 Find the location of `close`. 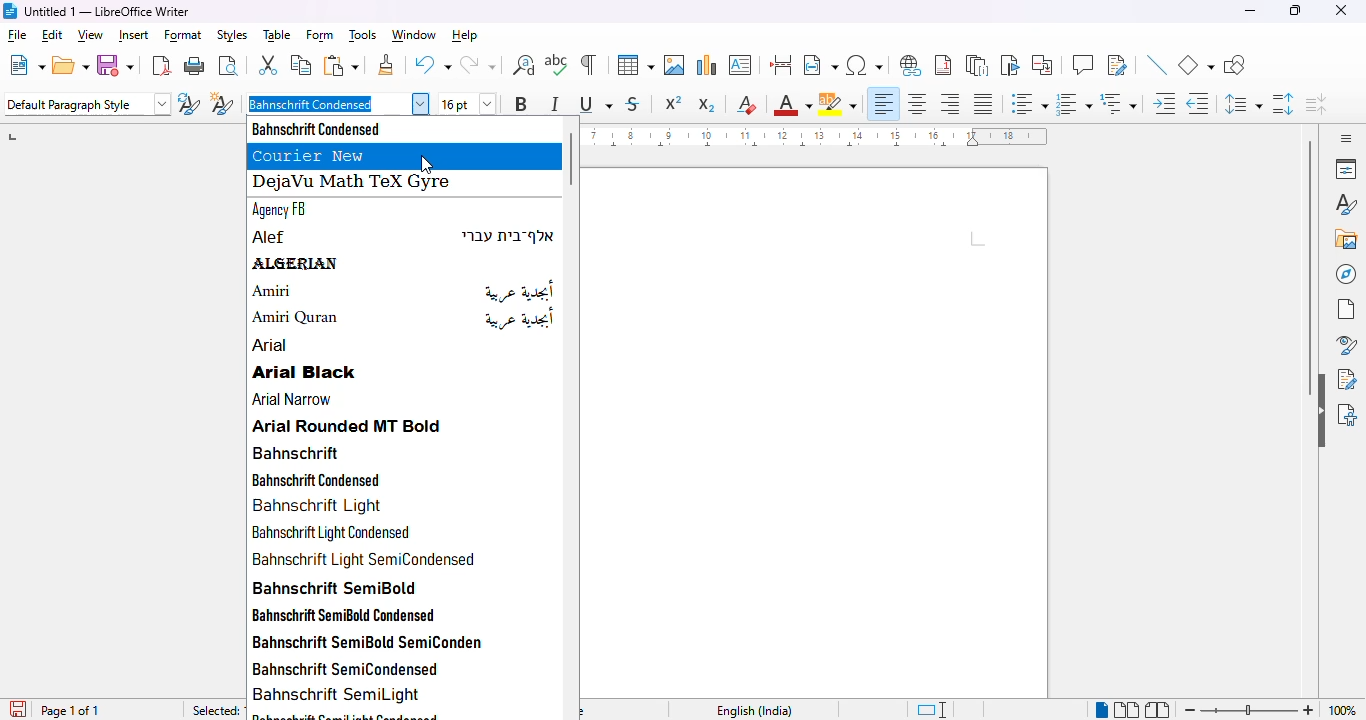

close is located at coordinates (1343, 10).